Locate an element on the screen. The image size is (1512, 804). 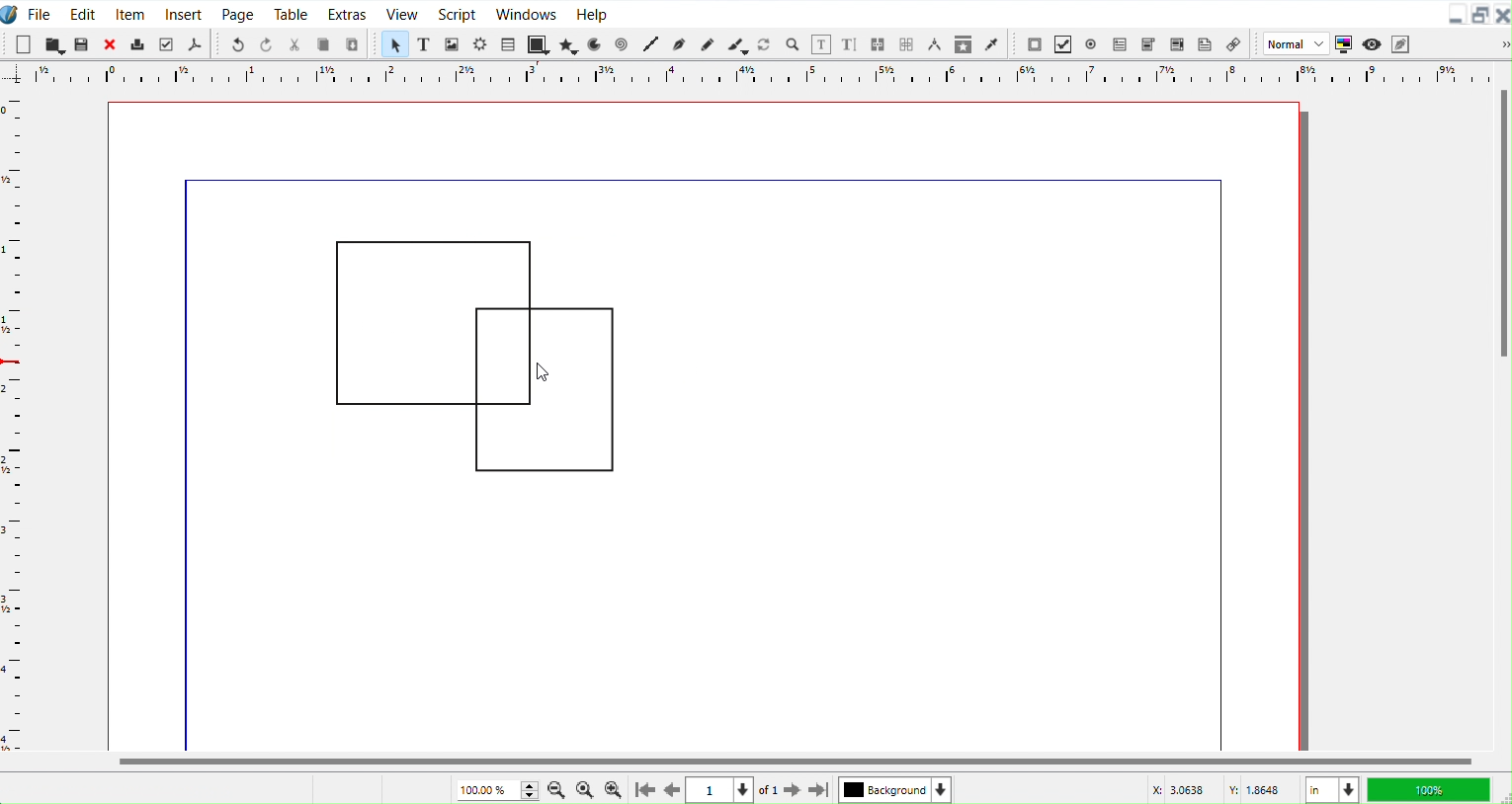
PDF Combo Box is located at coordinates (1148, 43).